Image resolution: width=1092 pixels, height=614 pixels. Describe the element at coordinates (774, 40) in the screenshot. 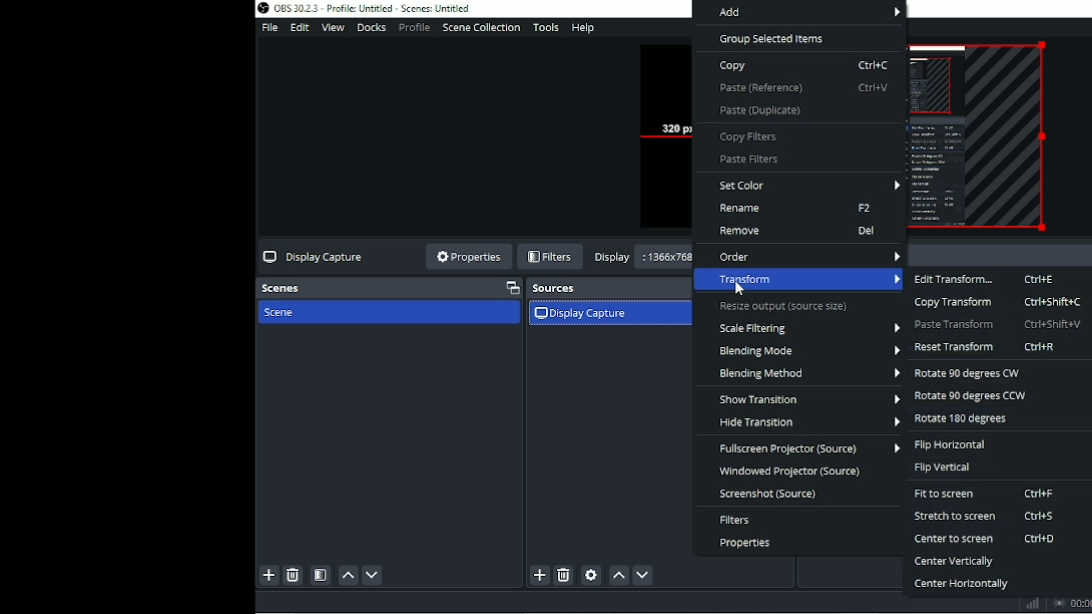

I see `Group selected items` at that location.